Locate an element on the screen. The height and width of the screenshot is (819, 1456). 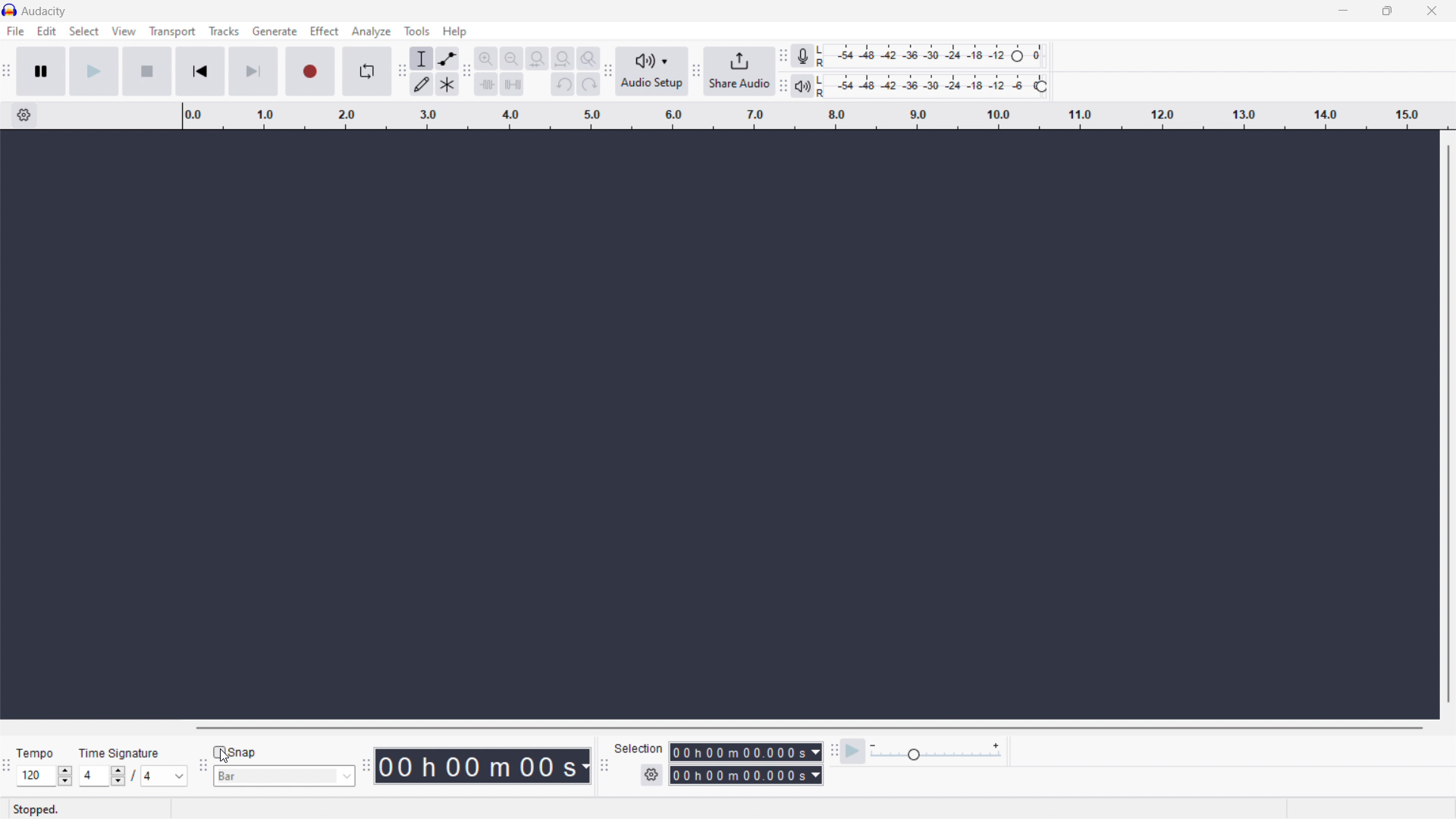
selection tool is located at coordinates (420, 58).